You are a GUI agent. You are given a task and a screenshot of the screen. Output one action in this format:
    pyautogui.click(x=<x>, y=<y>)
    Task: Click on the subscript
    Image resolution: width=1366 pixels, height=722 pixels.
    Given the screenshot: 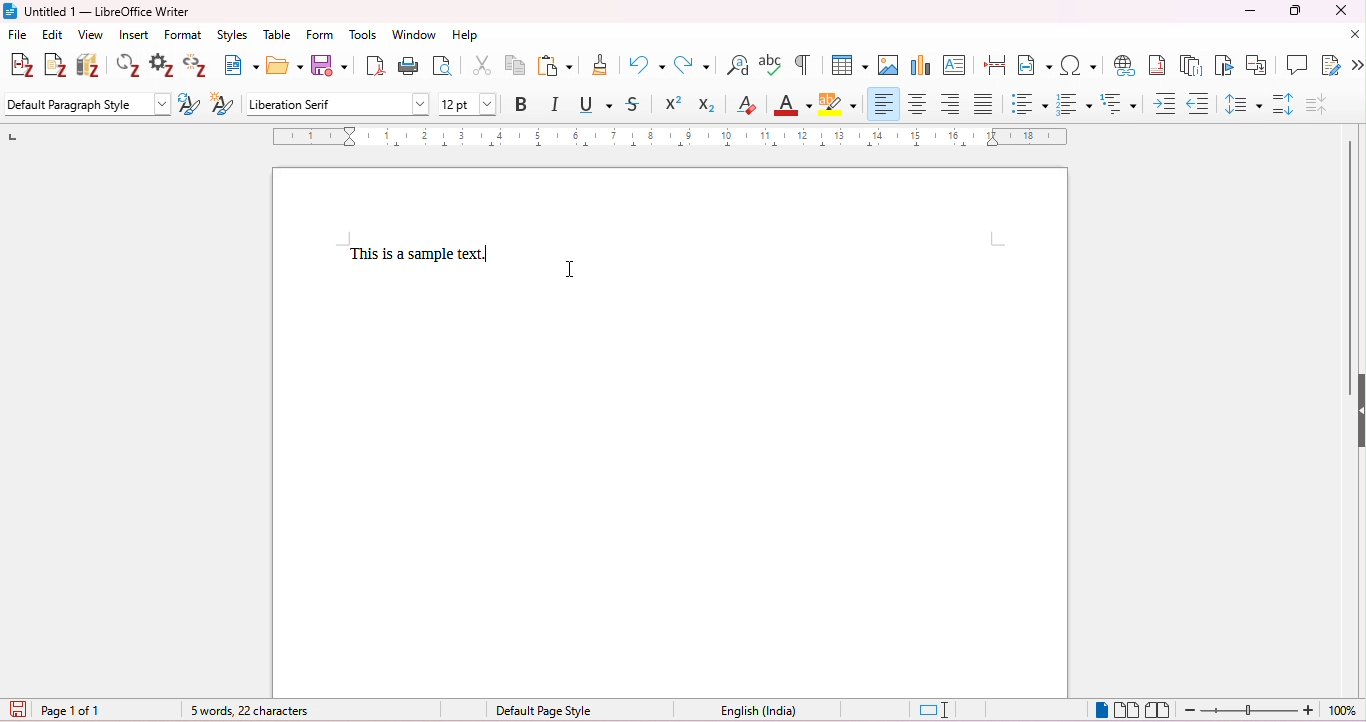 What is the action you would take?
    pyautogui.click(x=707, y=105)
    